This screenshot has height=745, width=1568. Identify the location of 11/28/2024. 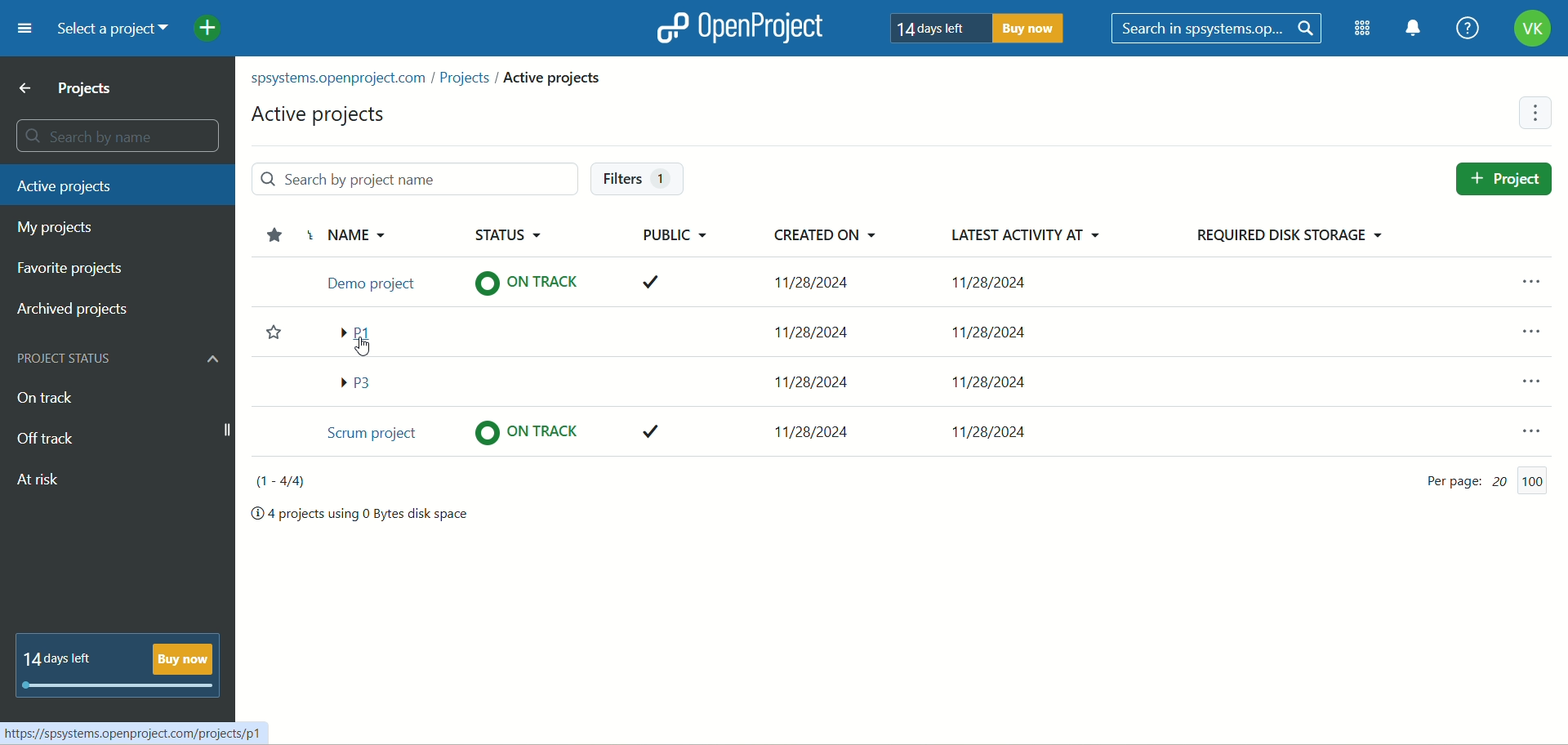
(813, 428).